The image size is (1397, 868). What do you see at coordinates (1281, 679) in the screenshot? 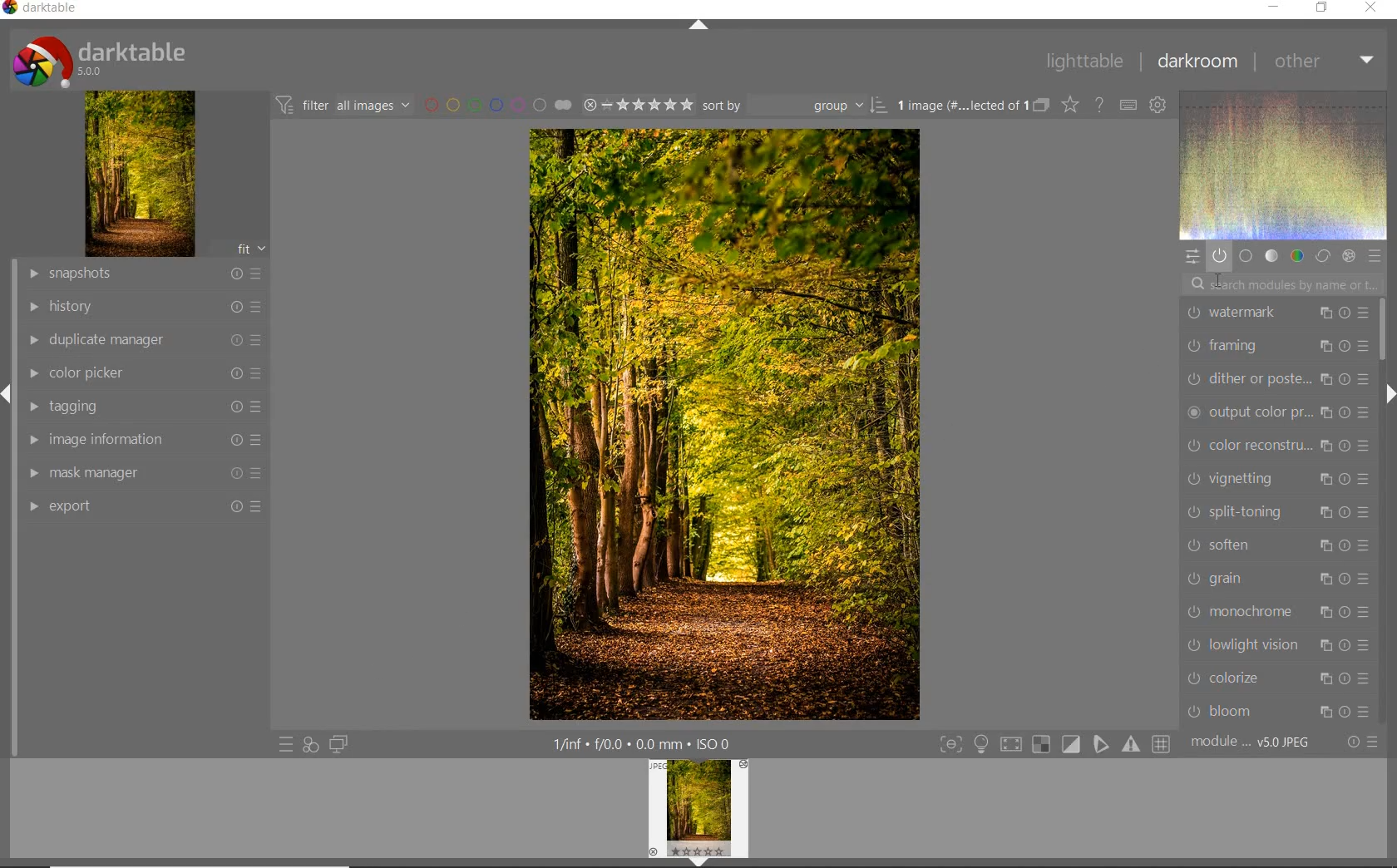
I see `colorize` at bounding box center [1281, 679].